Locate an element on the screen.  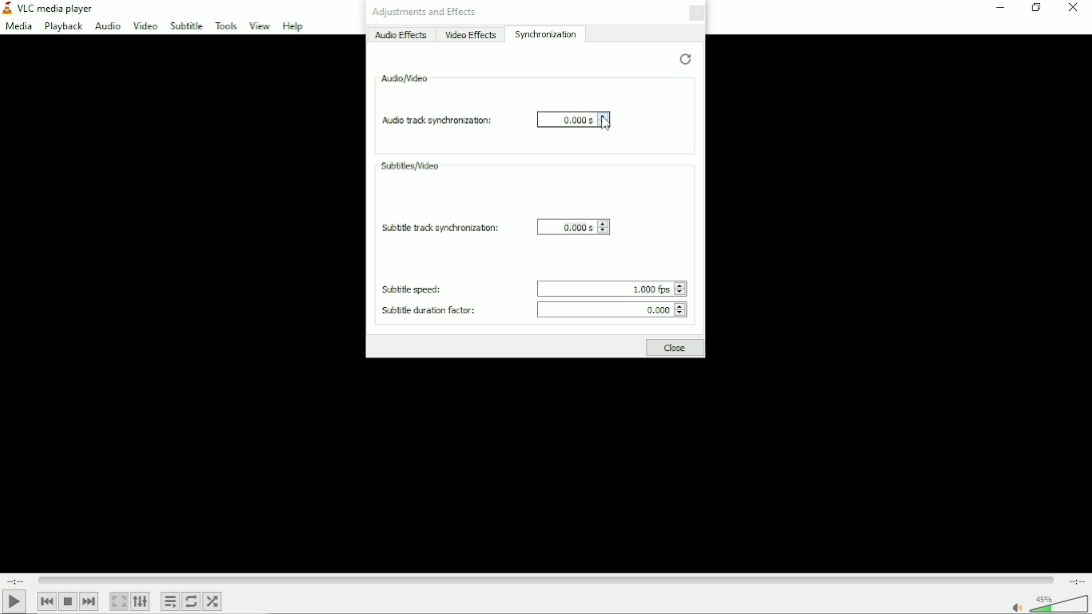
Total duration is located at coordinates (1077, 581).